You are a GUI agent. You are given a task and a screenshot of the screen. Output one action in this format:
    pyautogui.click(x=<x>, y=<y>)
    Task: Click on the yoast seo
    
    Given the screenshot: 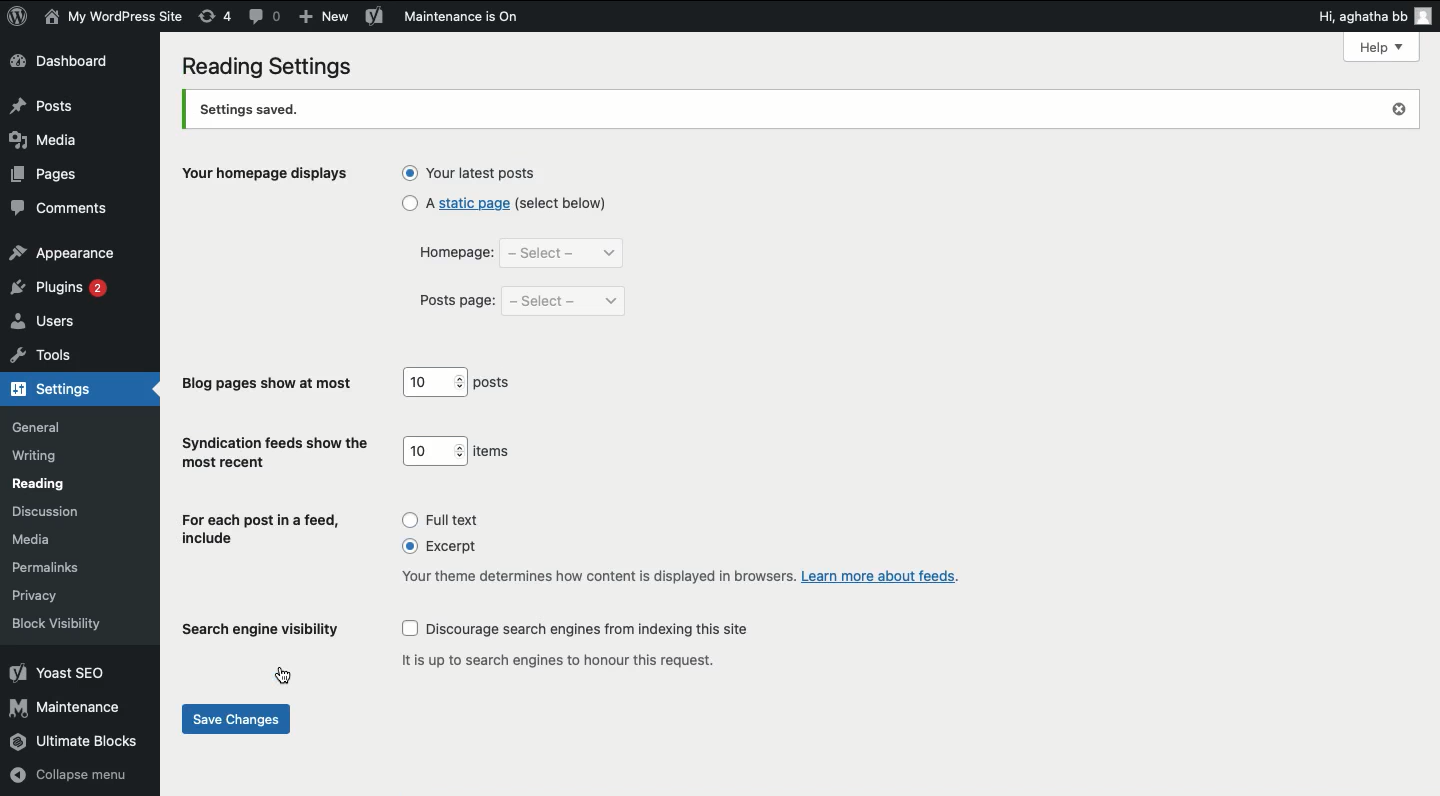 What is the action you would take?
    pyautogui.click(x=374, y=16)
    